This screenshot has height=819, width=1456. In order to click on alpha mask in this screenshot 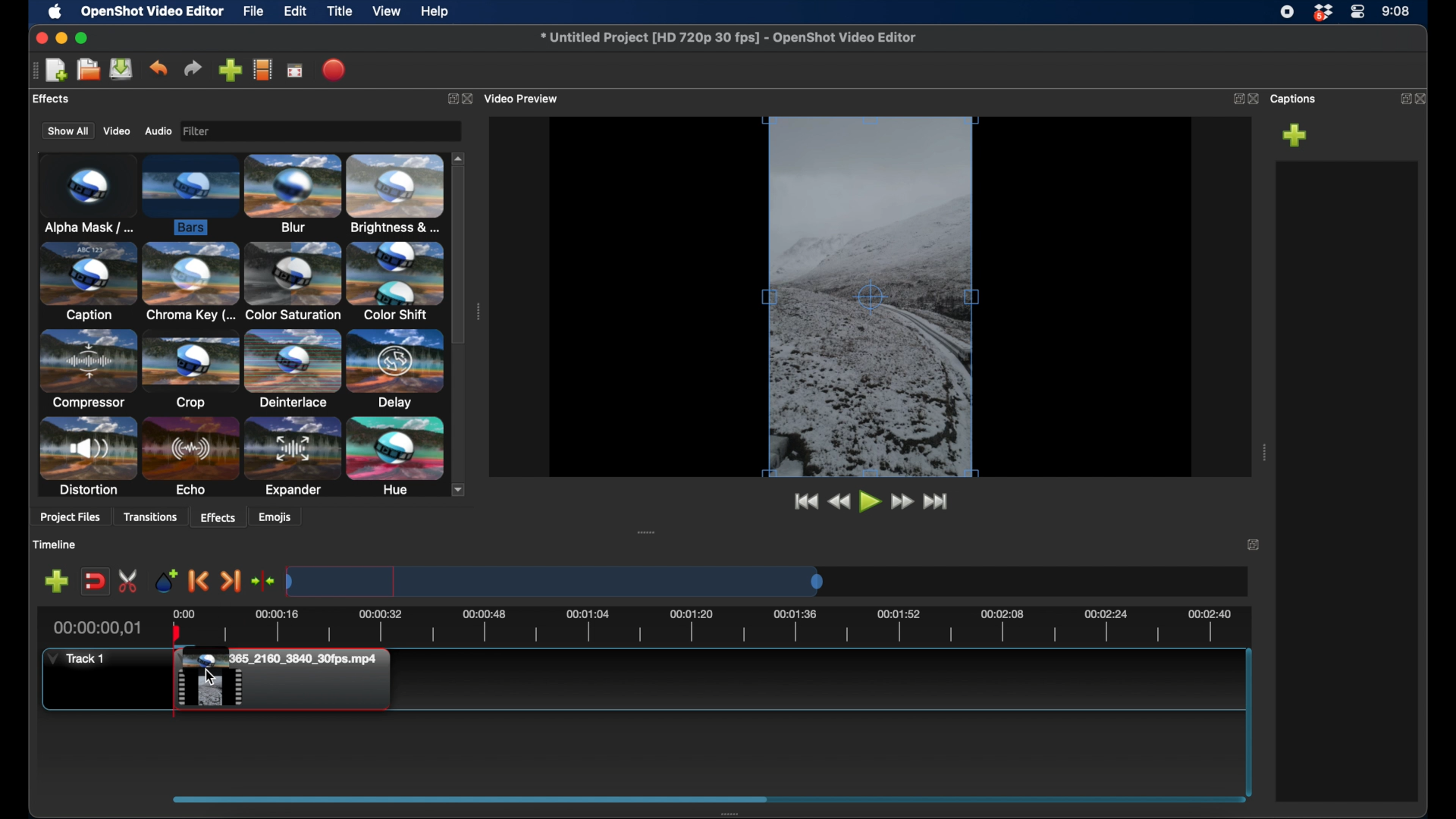, I will do `click(86, 192)`.